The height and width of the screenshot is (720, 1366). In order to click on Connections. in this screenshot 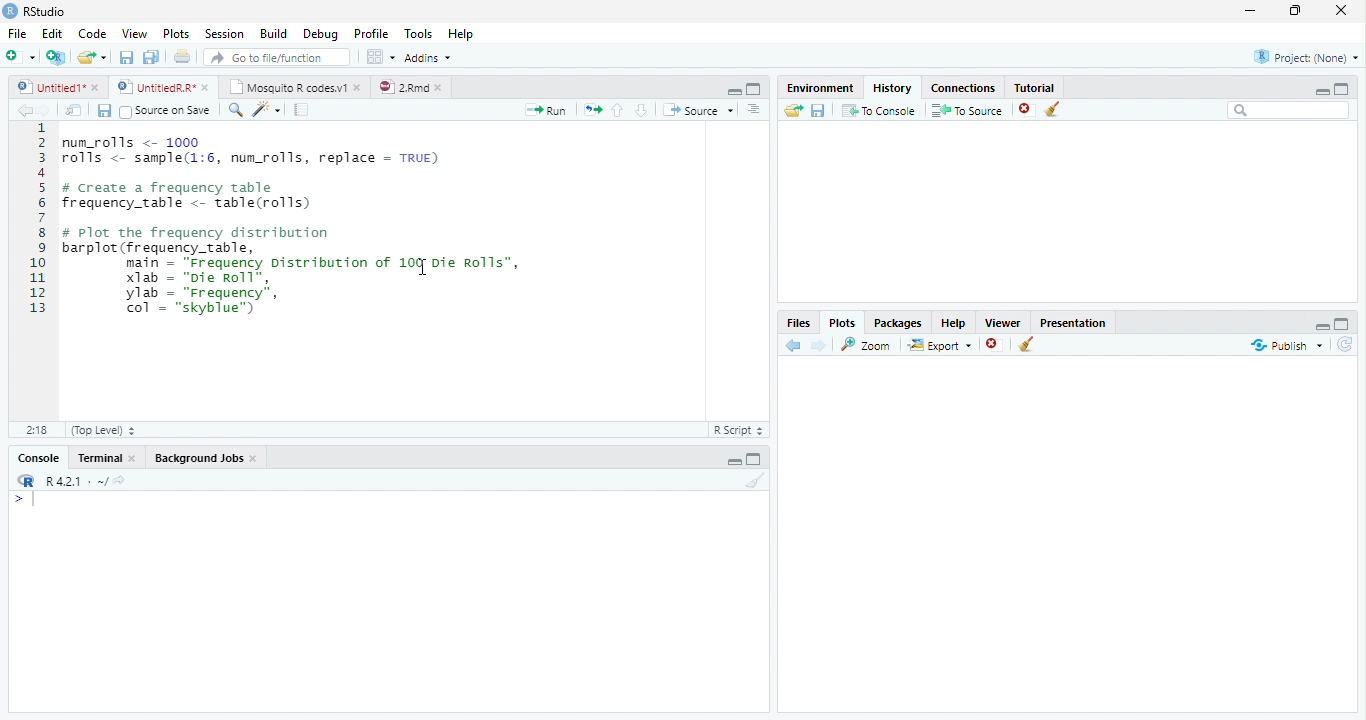, I will do `click(963, 87)`.